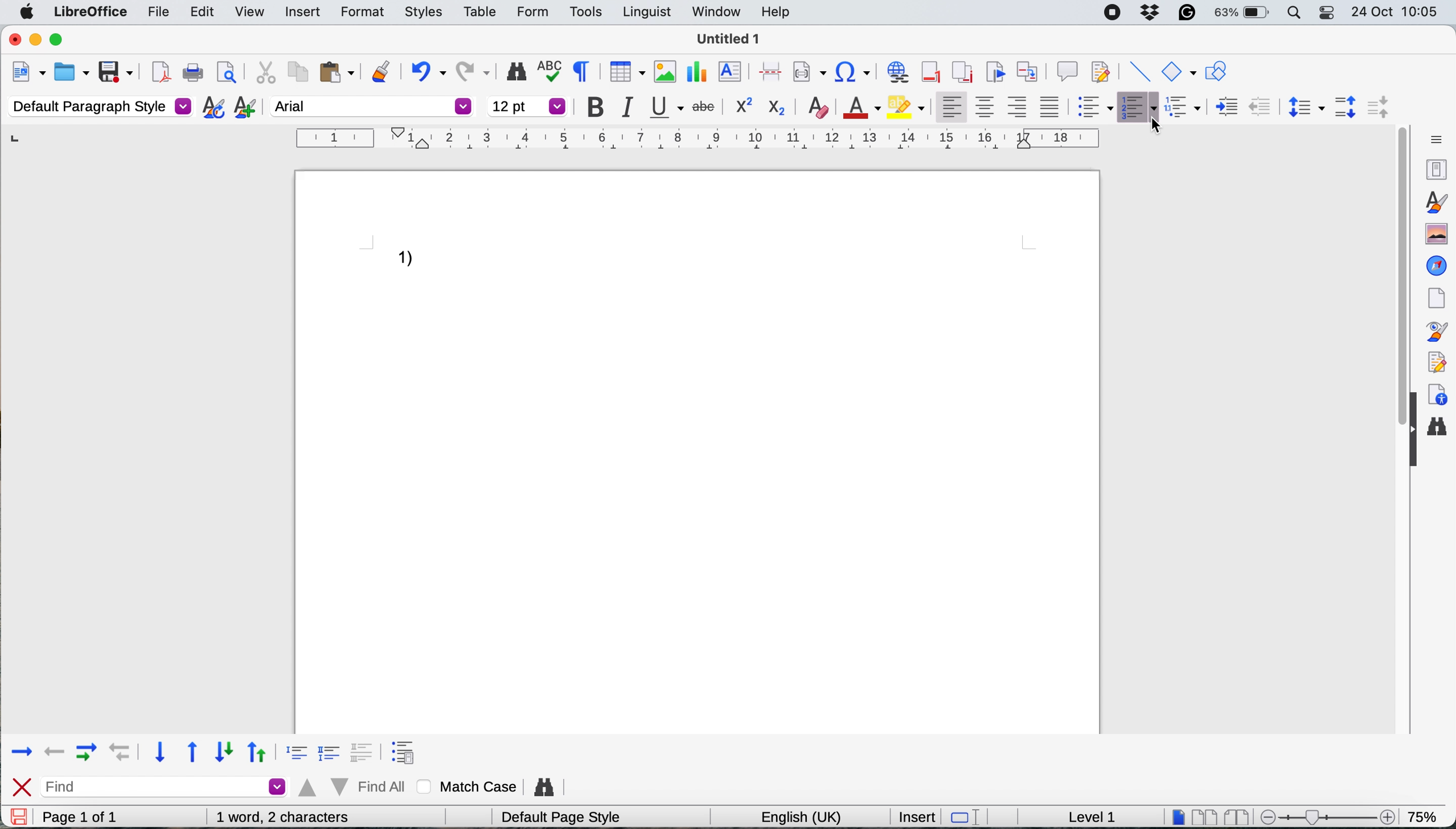 This screenshot has height=829, width=1456. I want to click on toggle ordered list, so click(1138, 107).